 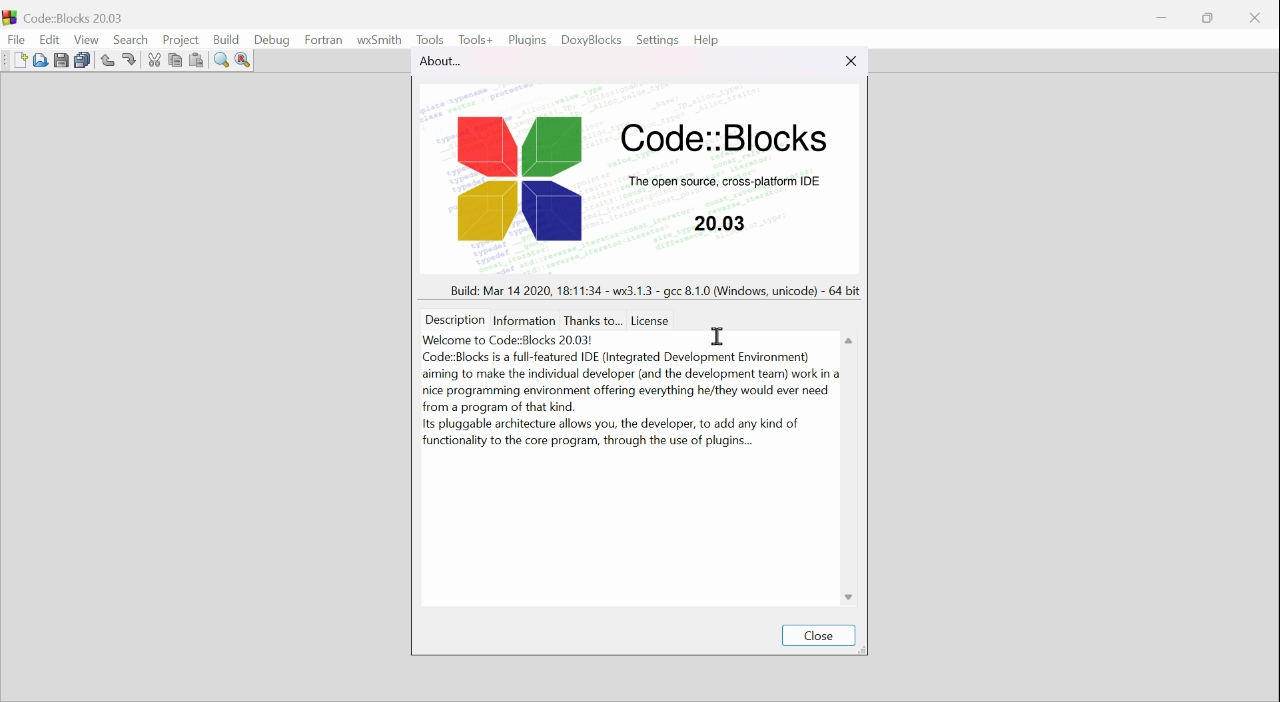 What do you see at coordinates (73, 15) in the screenshot?
I see `Code blocks 20.03` at bounding box center [73, 15].